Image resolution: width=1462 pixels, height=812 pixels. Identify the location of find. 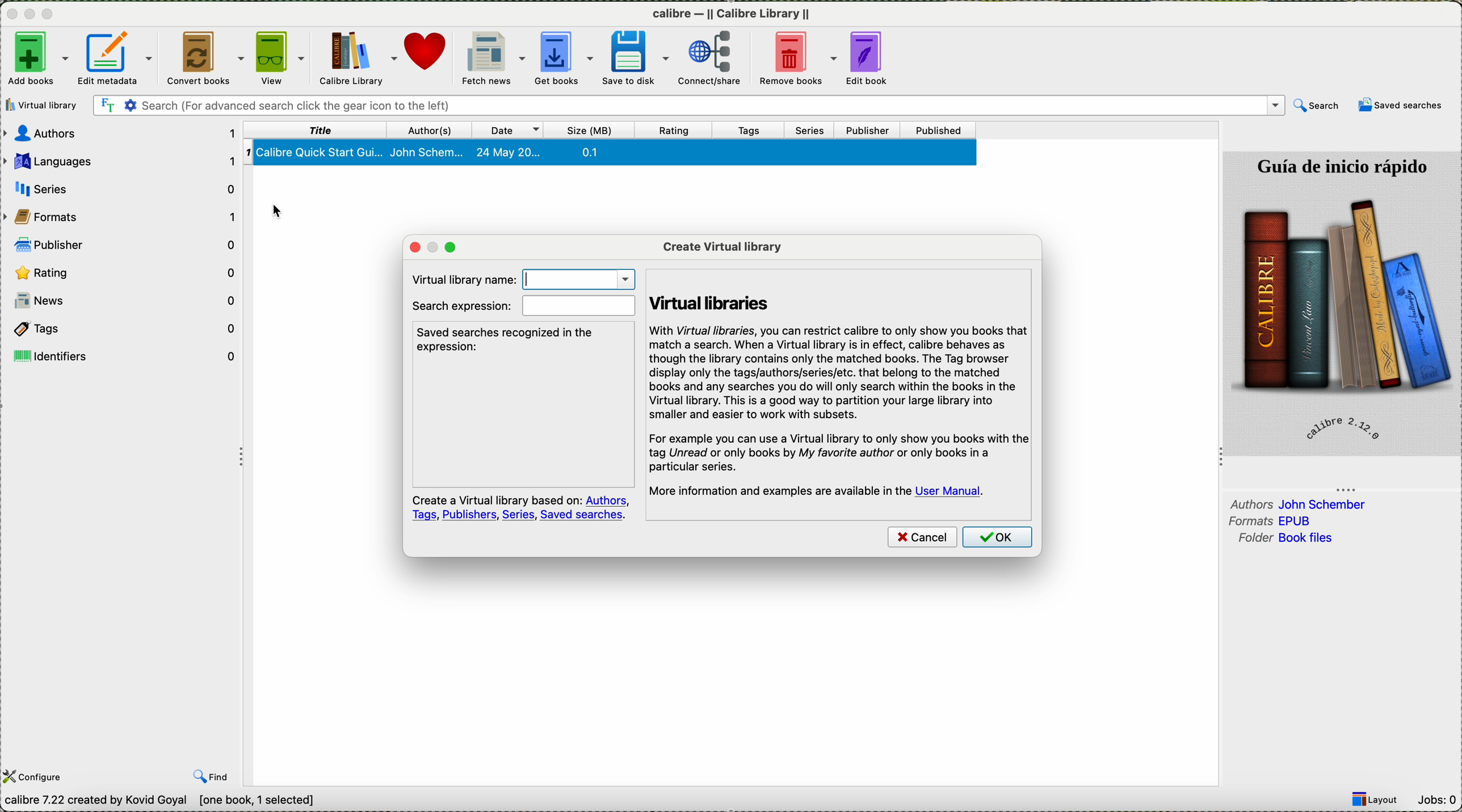
(213, 777).